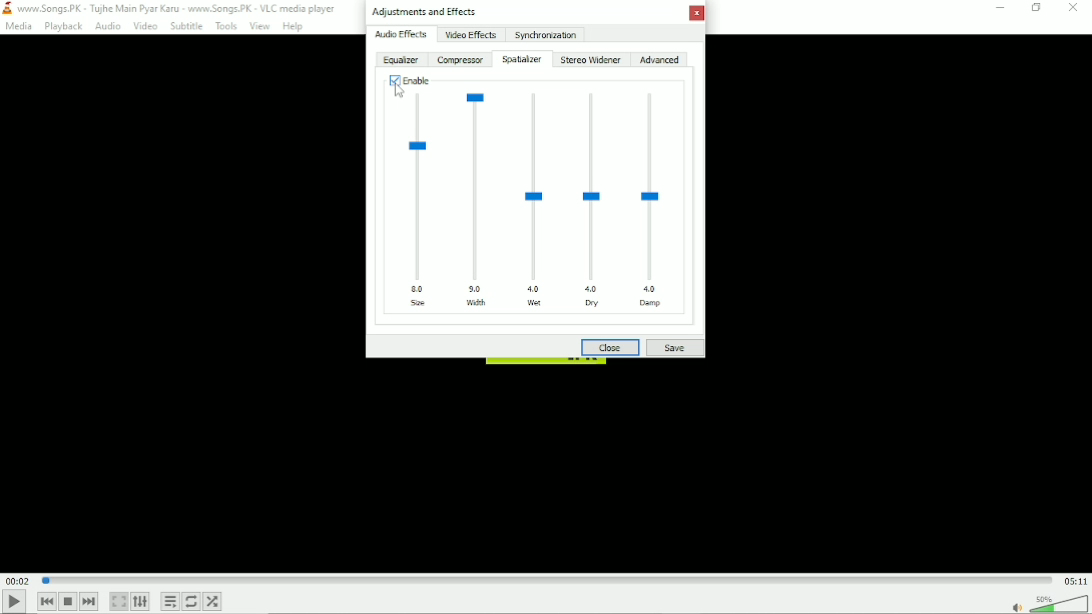 Image resolution: width=1092 pixels, height=614 pixels. Describe the element at coordinates (417, 201) in the screenshot. I see `Size` at that location.